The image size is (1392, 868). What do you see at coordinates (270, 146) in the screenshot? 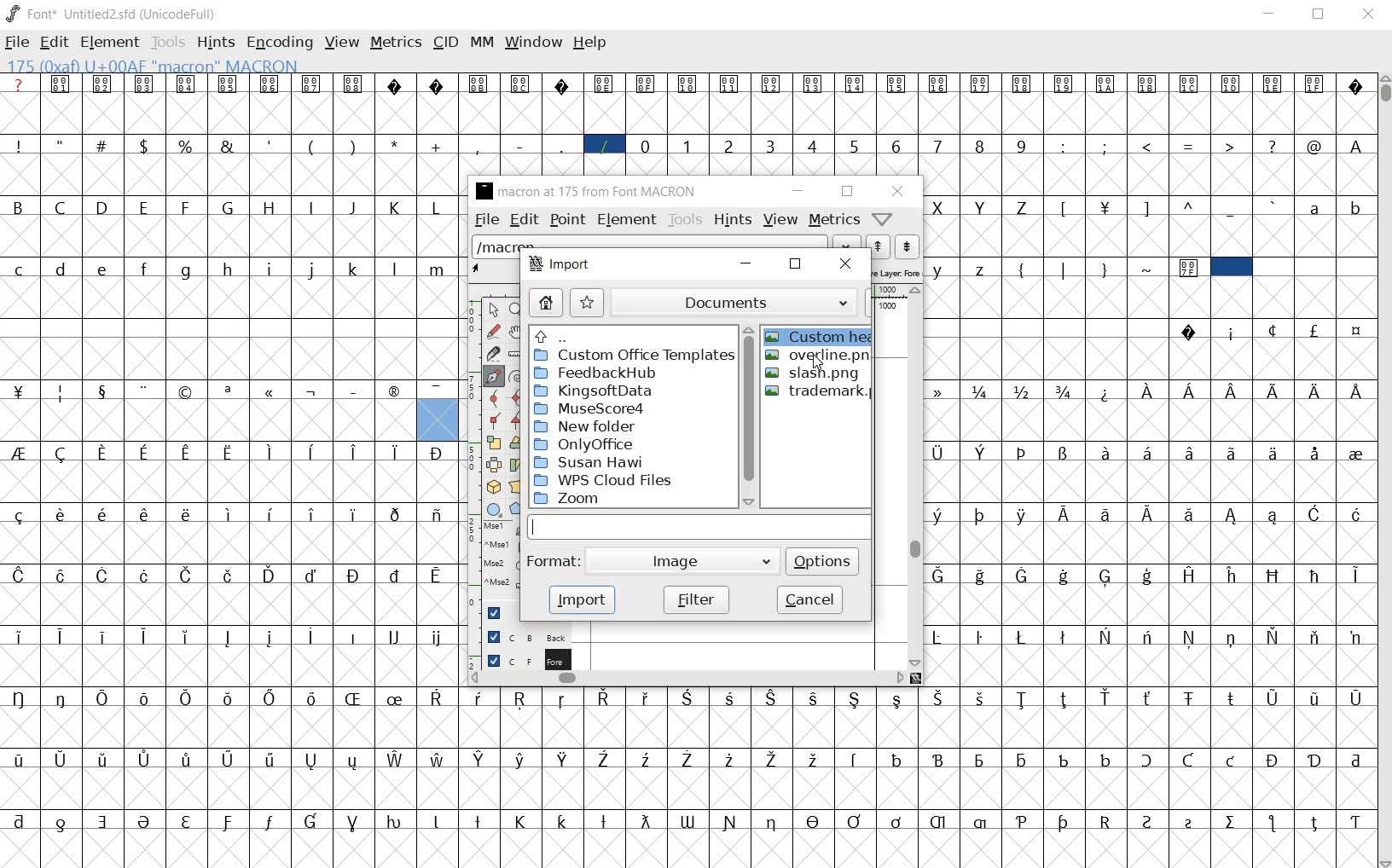
I see `'` at bounding box center [270, 146].